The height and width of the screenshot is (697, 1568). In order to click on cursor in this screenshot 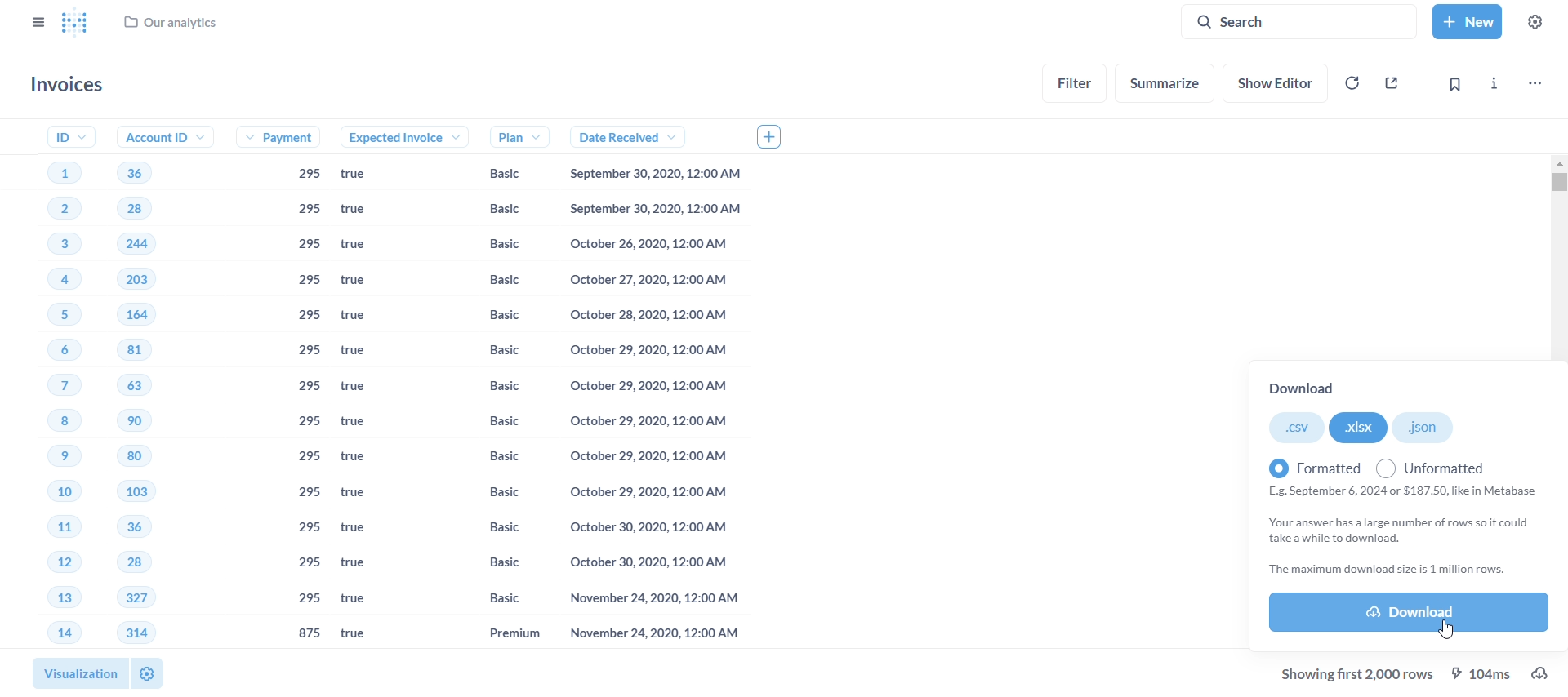, I will do `click(1454, 632)`.